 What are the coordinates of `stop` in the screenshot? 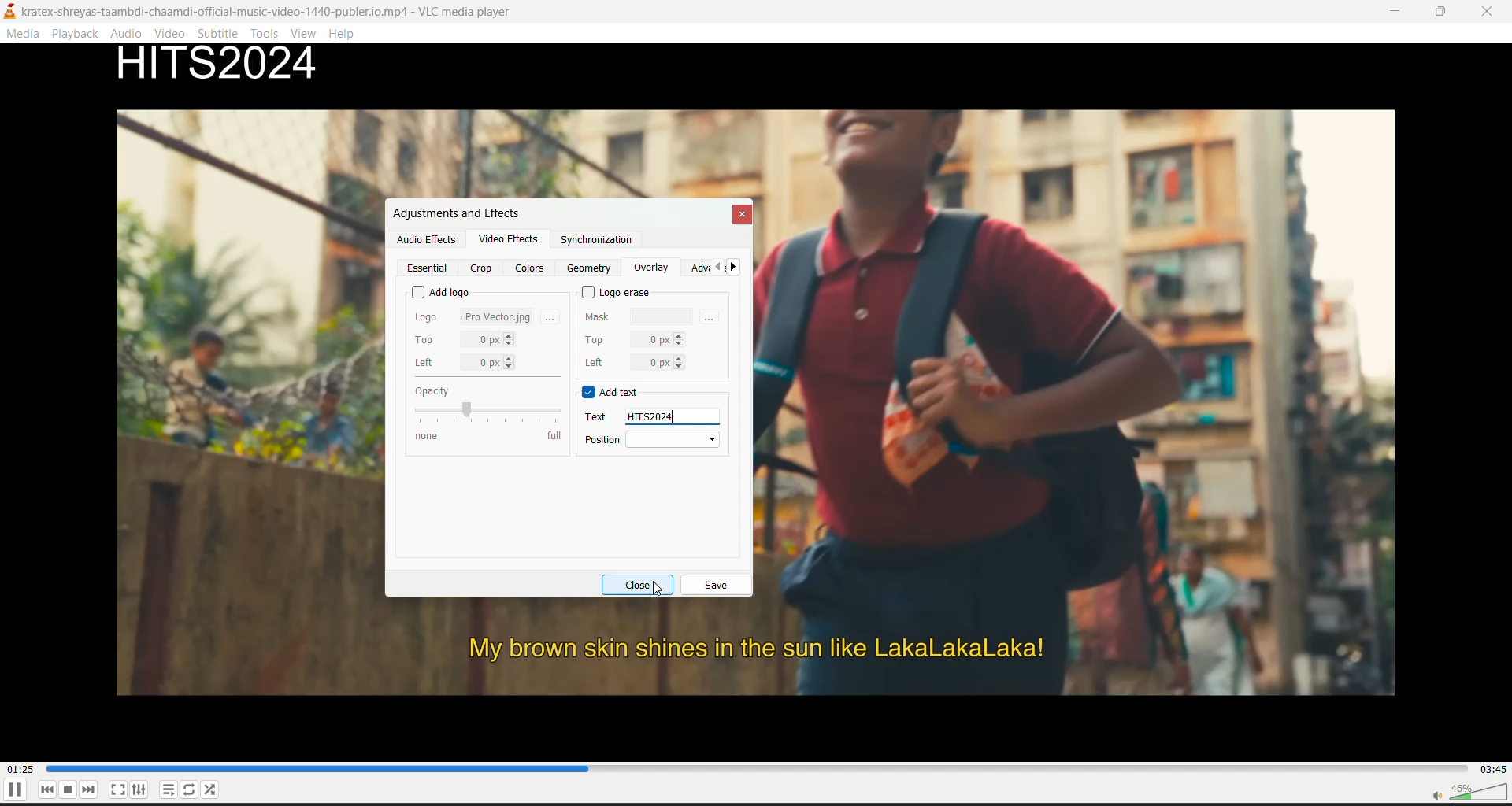 It's located at (70, 790).